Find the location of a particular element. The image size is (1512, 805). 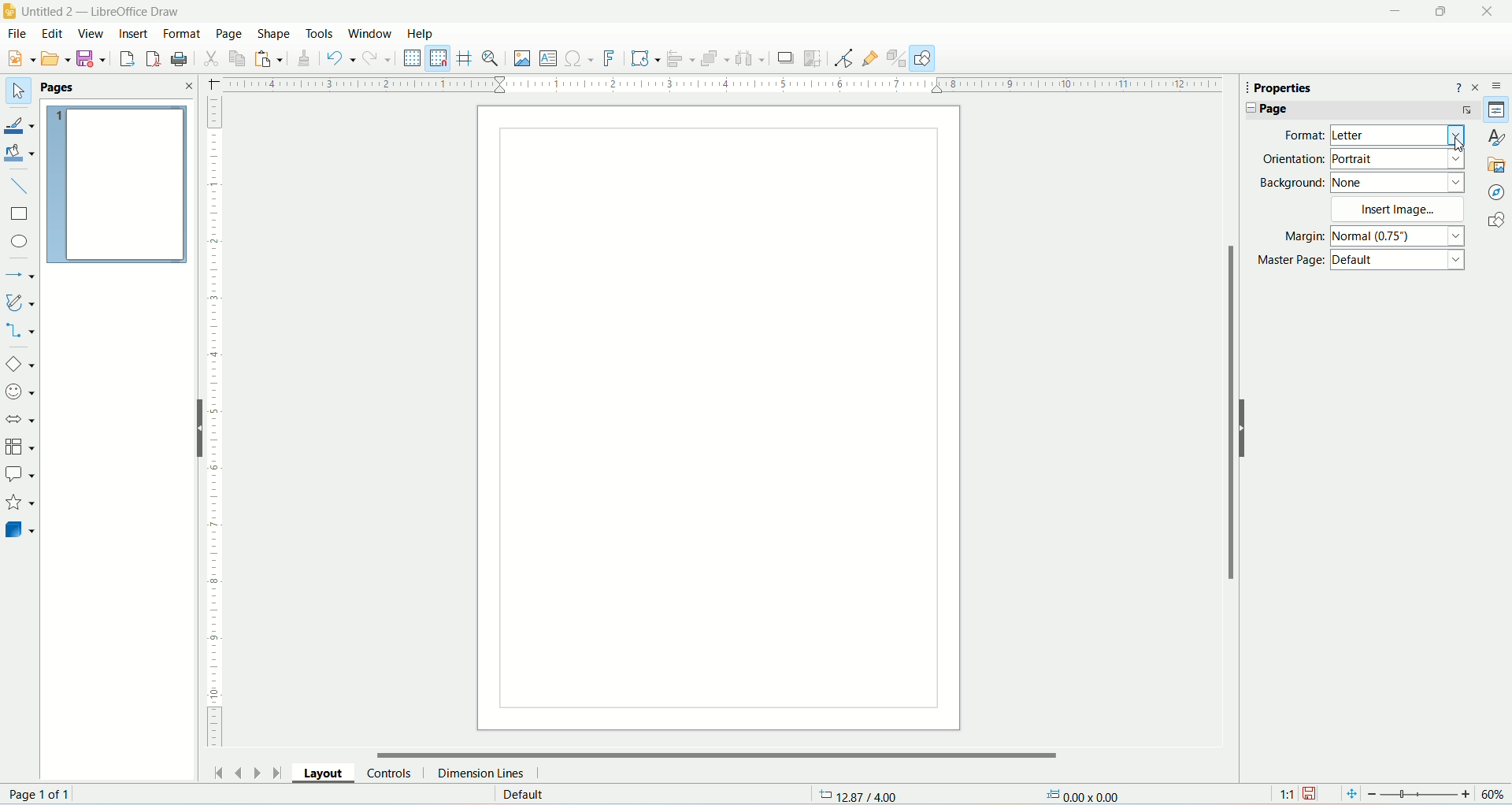

pages is located at coordinates (78, 87).